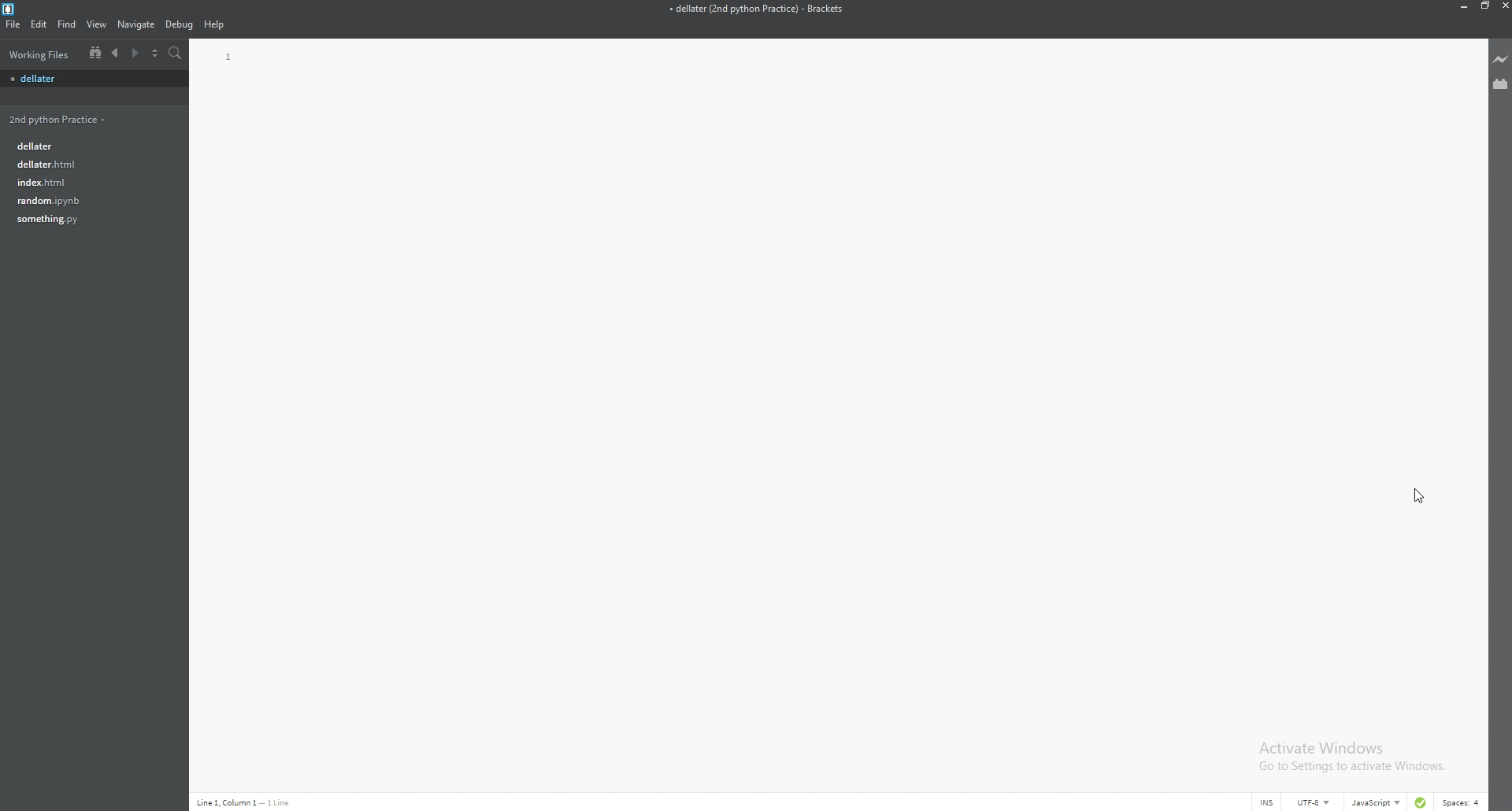 This screenshot has height=811, width=1512. Describe the element at coordinates (215, 24) in the screenshot. I see `help` at that location.